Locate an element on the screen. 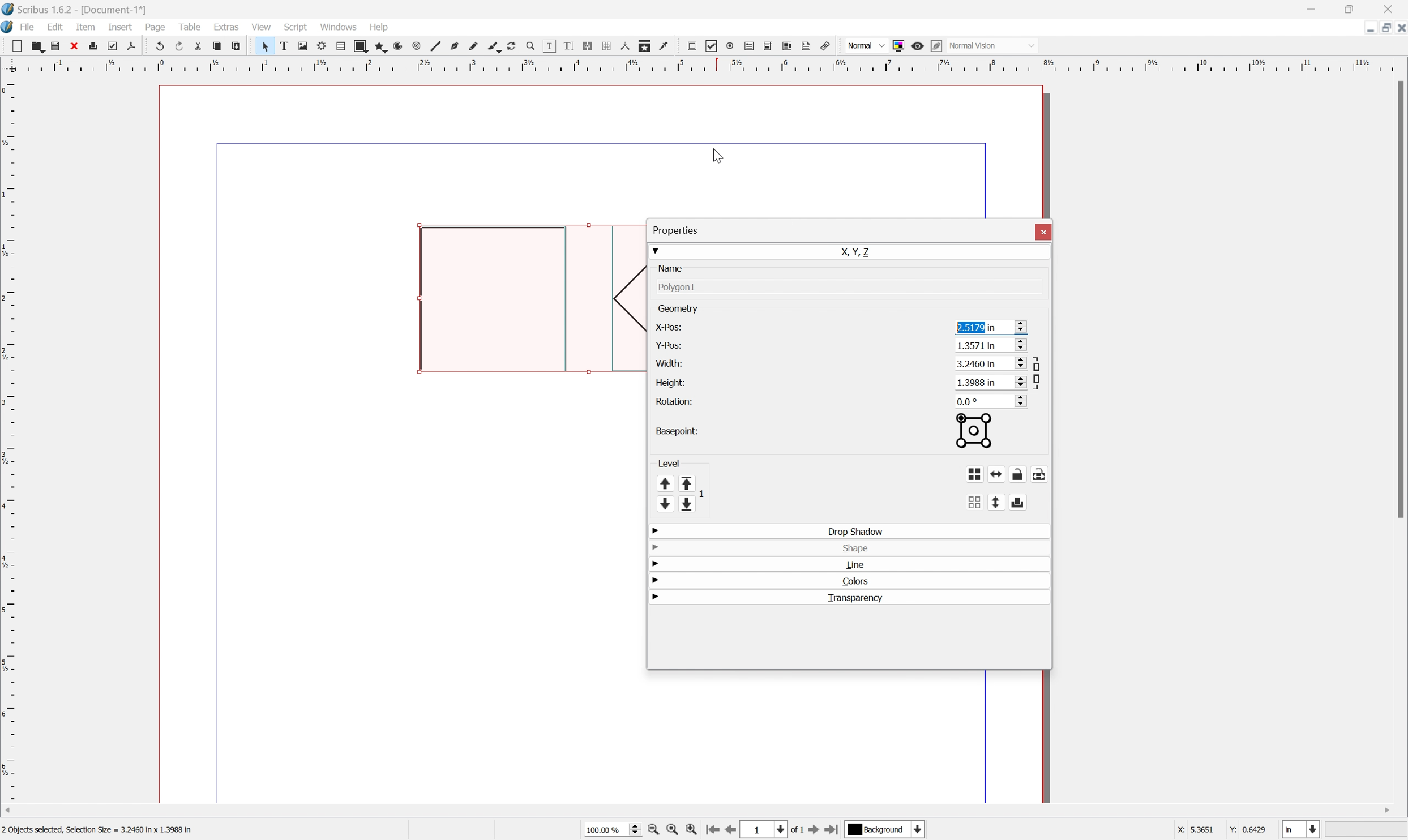  name is located at coordinates (673, 268).